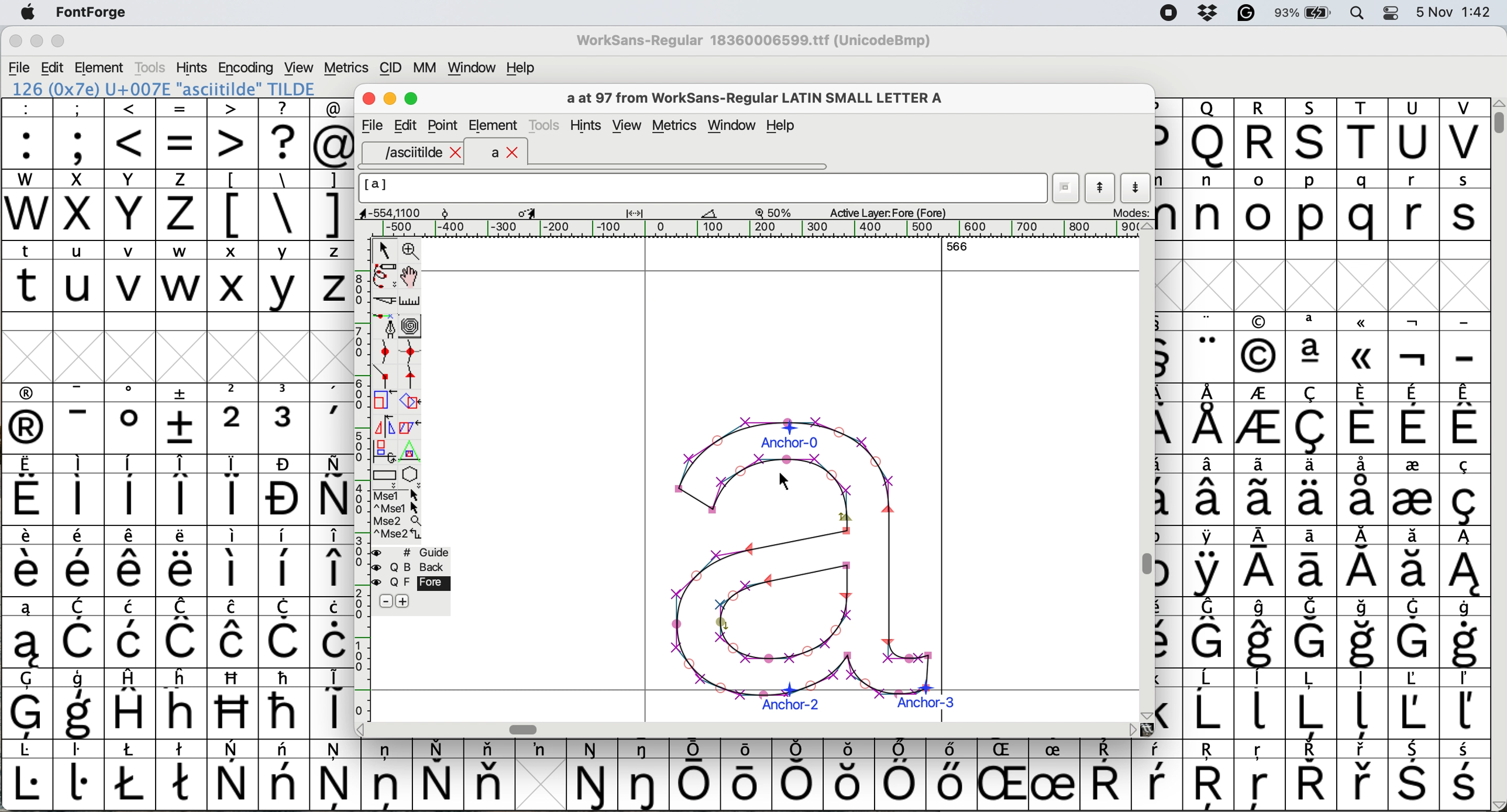 The width and height of the screenshot is (1507, 812). What do you see at coordinates (80, 562) in the screenshot?
I see `symbol` at bounding box center [80, 562].